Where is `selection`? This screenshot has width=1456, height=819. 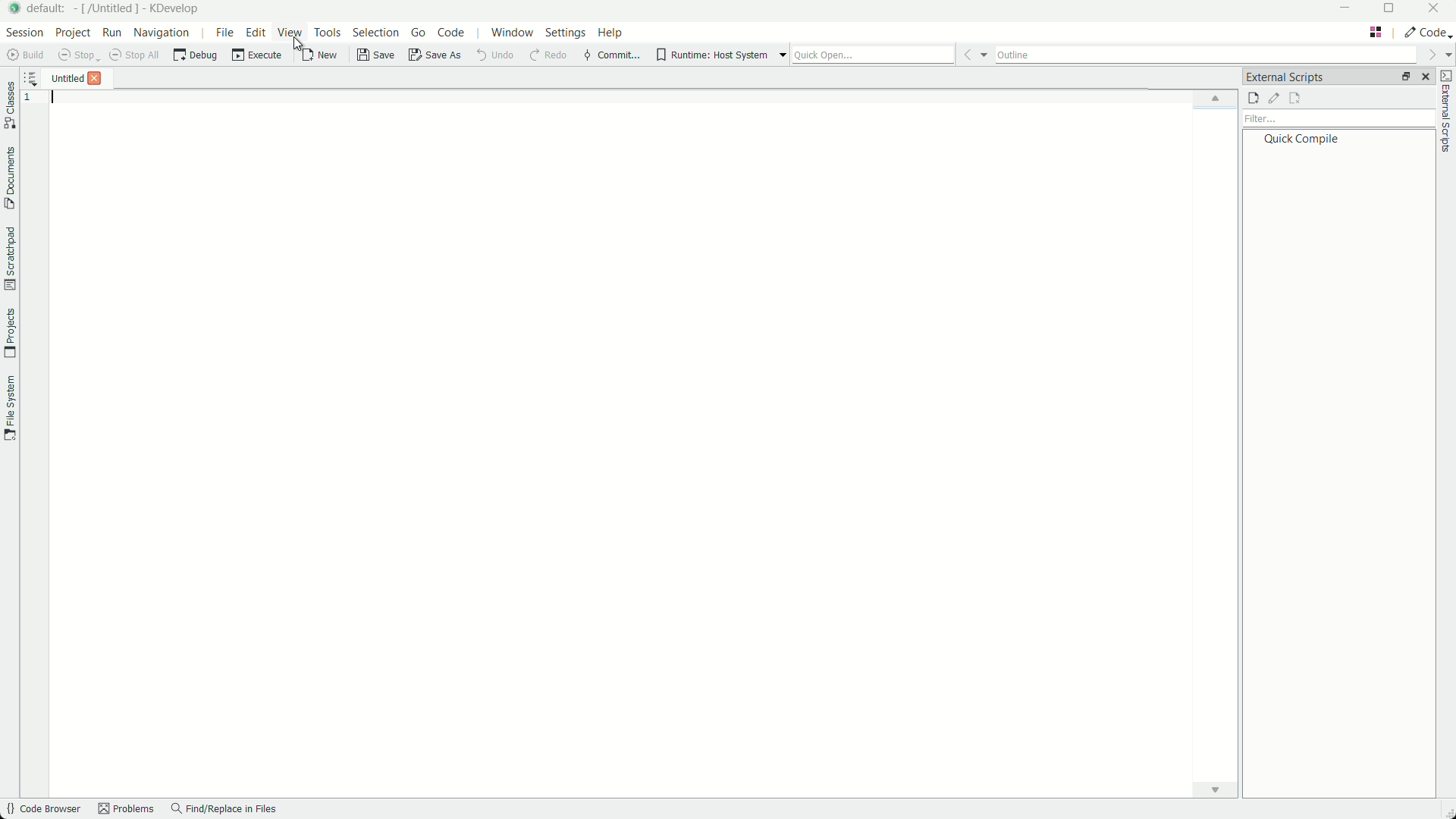
selection is located at coordinates (375, 33).